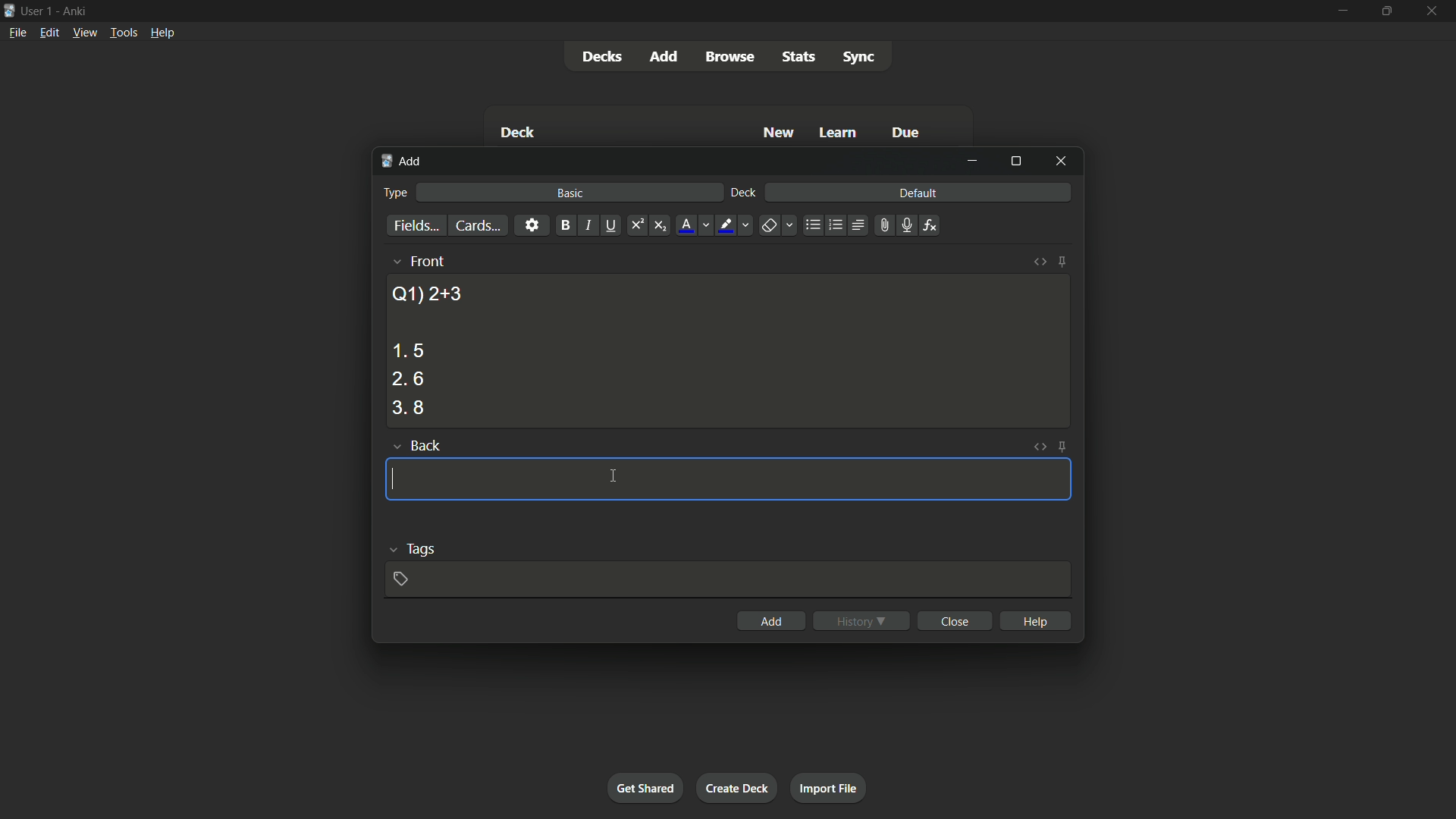 This screenshot has height=819, width=1456. I want to click on attach file, so click(883, 225).